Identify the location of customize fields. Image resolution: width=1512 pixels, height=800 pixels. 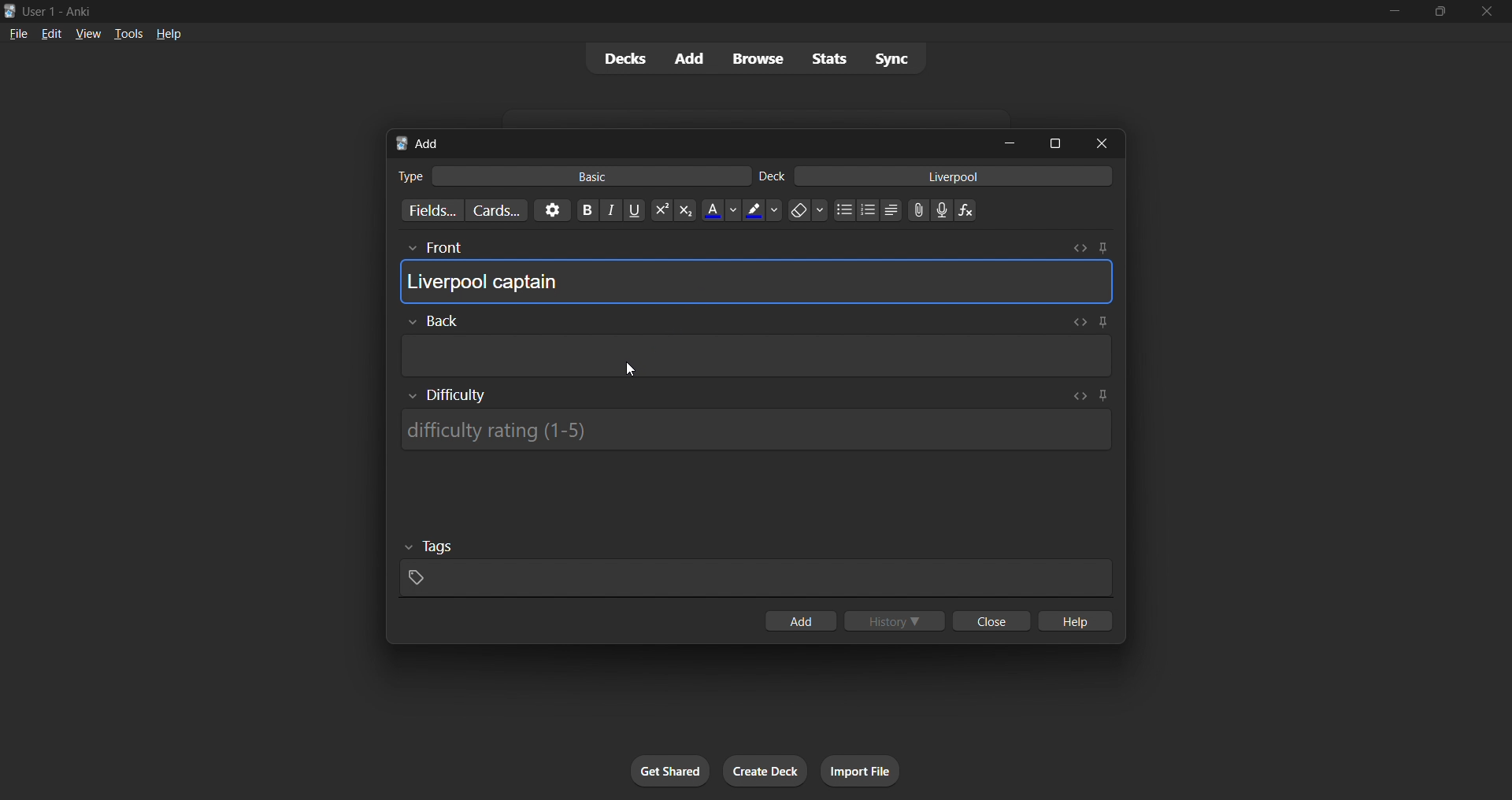
(429, 210).